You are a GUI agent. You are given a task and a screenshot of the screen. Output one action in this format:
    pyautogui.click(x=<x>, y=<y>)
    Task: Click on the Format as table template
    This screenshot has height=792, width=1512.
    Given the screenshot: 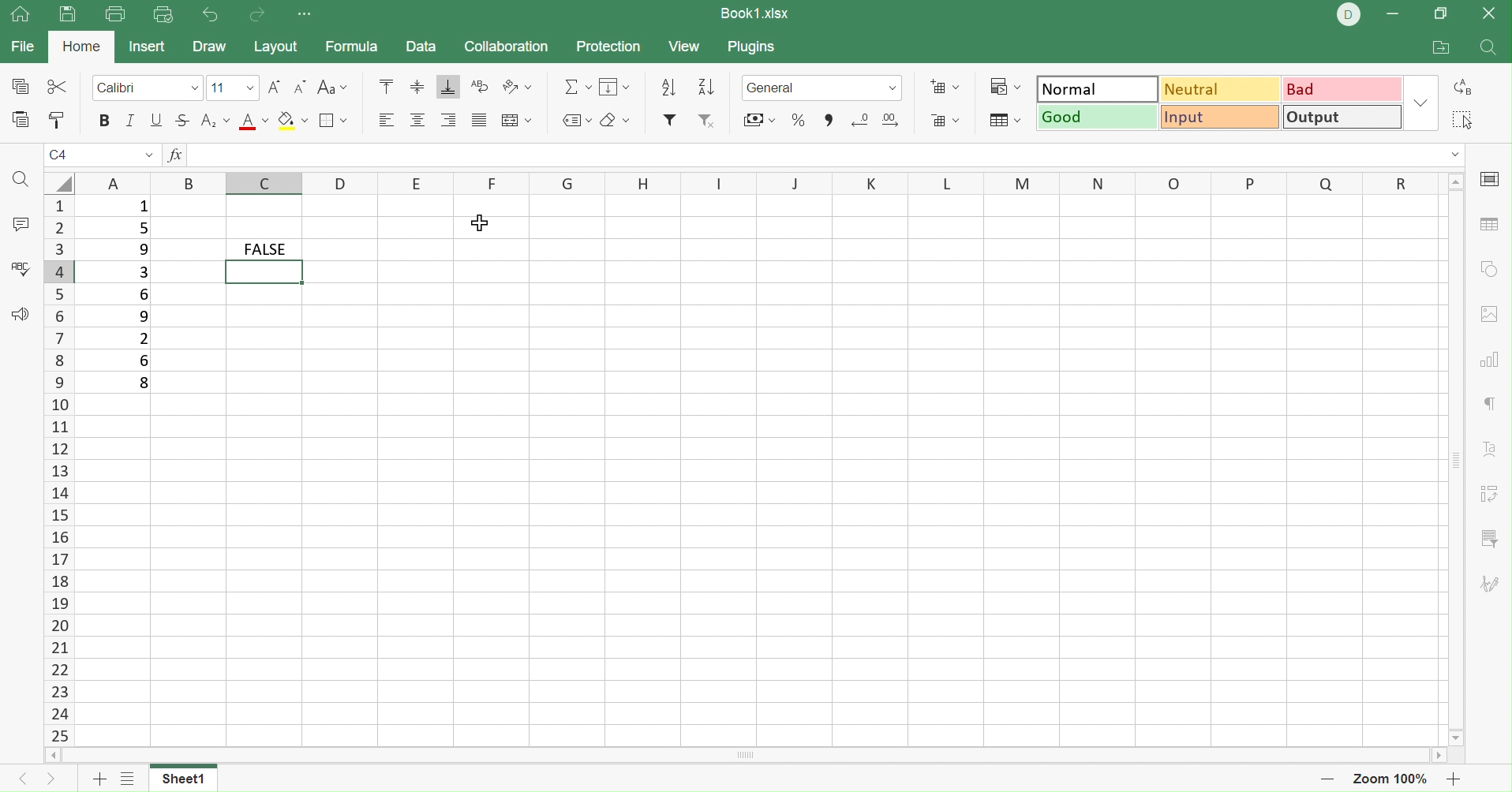 What is the action you would take?
    pyautogui.click(x=1001, y=120)
    